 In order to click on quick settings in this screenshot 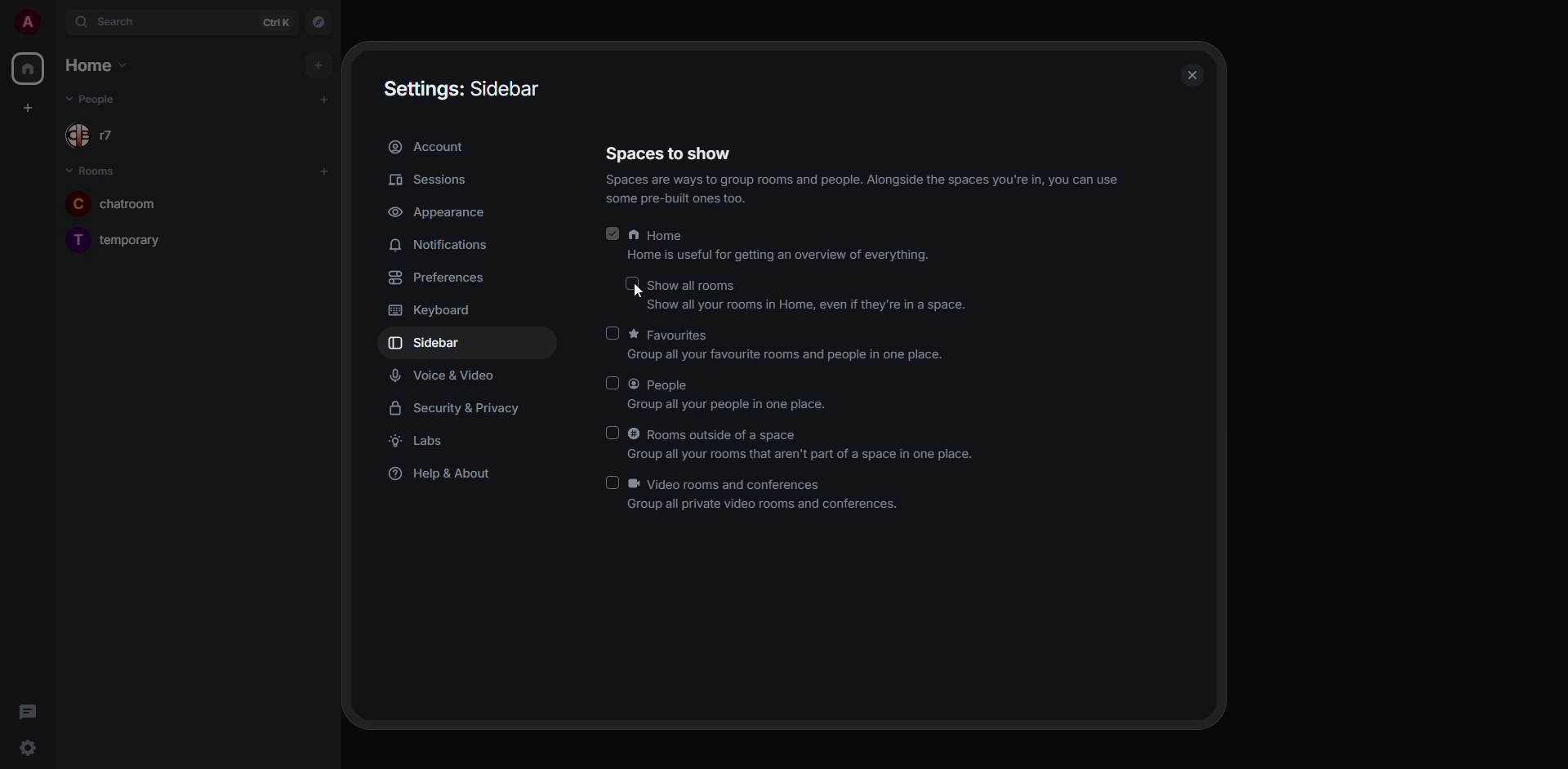, I will do `click(24, 745)`.